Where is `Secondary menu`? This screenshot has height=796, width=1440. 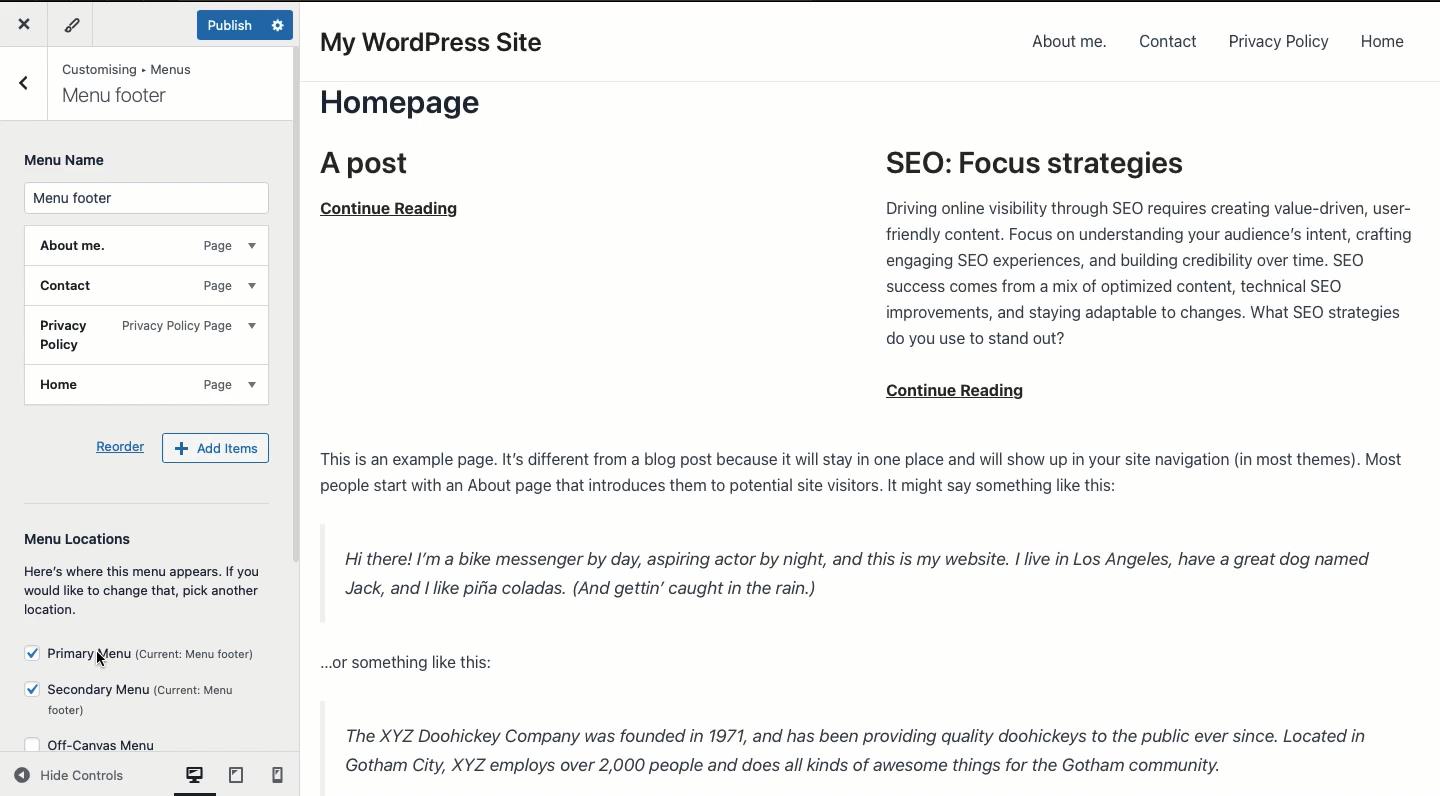
Secondary menu is located at coordinates (132, 700).